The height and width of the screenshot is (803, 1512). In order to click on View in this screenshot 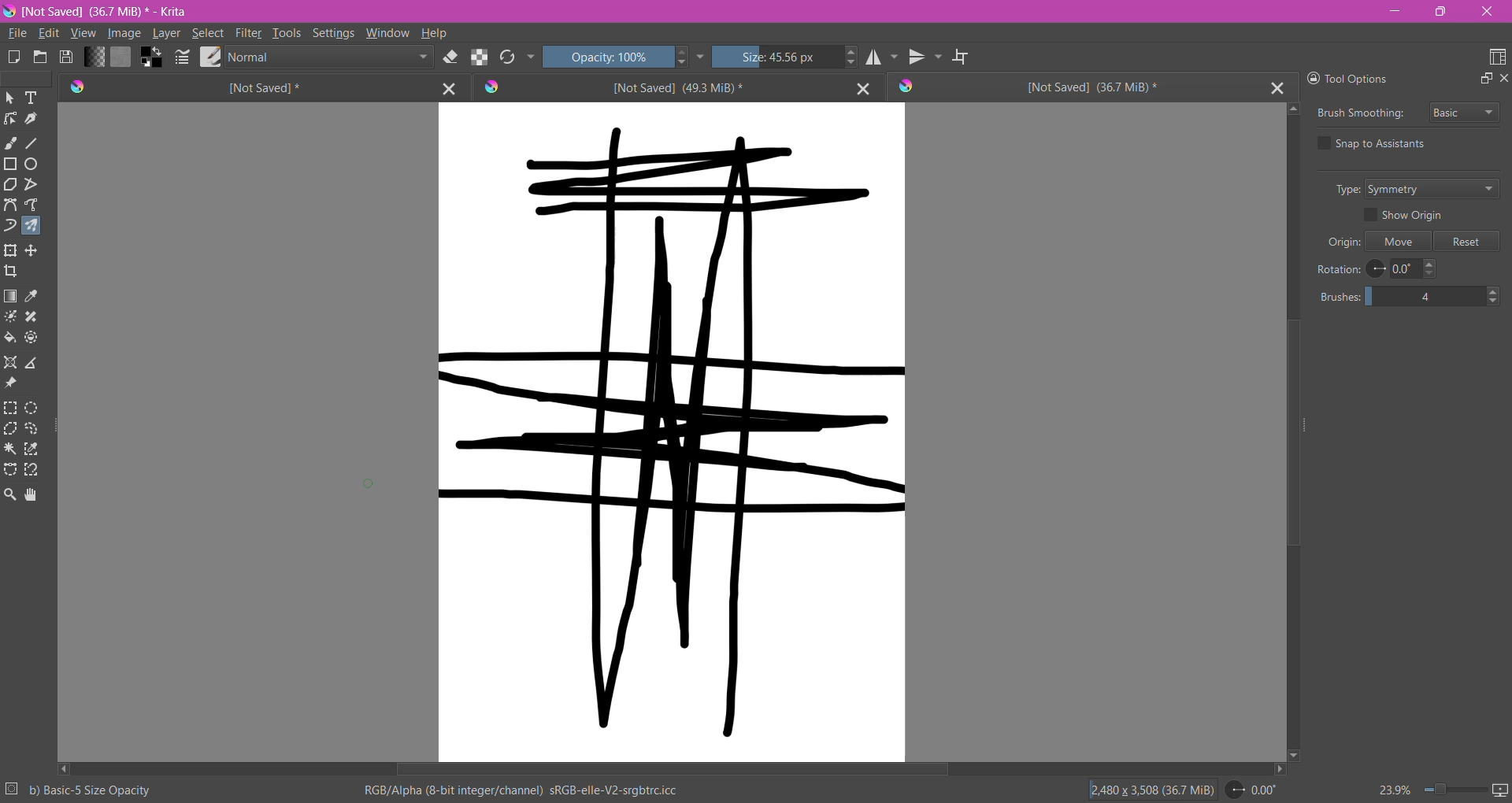, I will do `click(82, 35)`.